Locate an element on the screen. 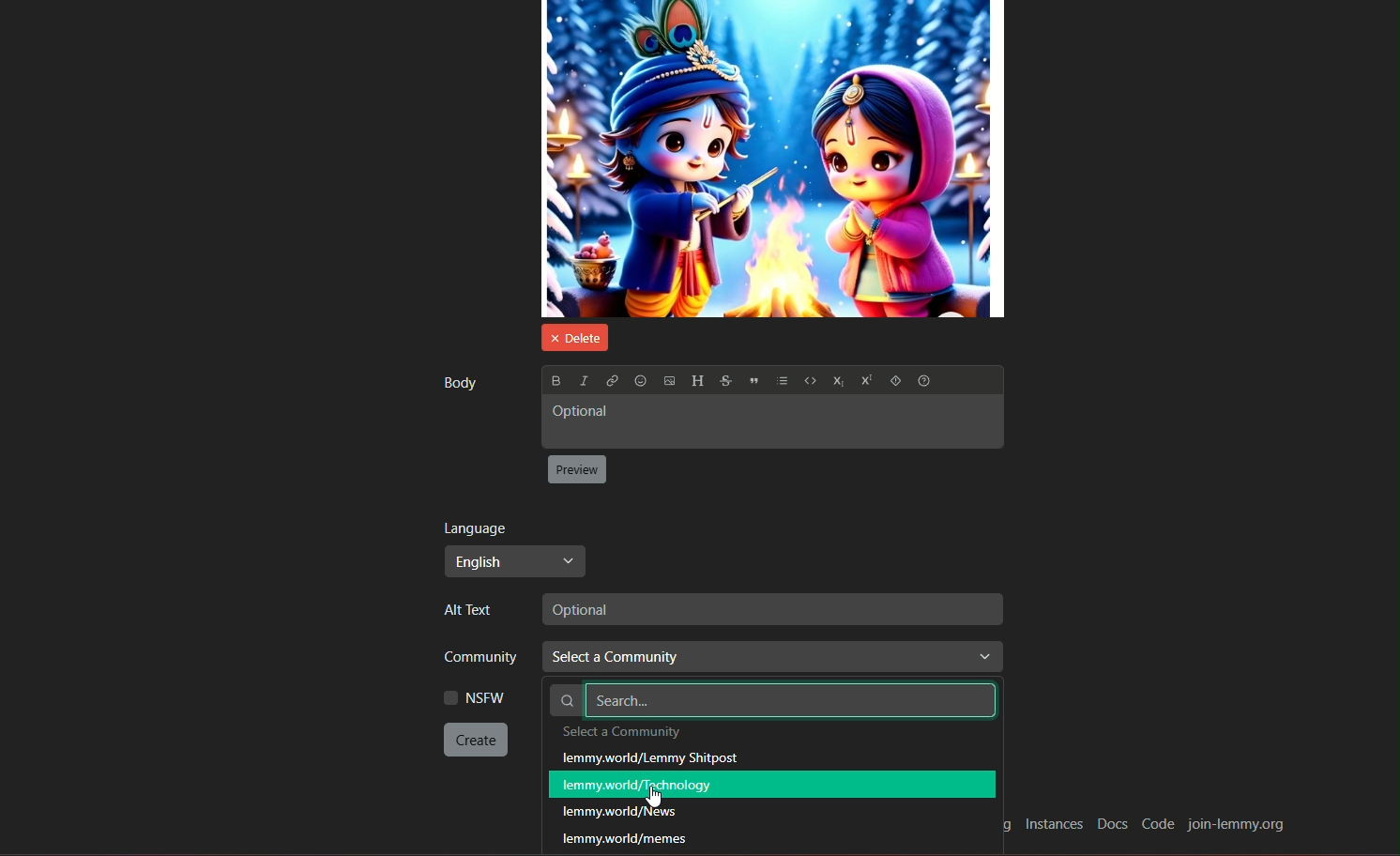  bold is located at coordinates (555, 380).